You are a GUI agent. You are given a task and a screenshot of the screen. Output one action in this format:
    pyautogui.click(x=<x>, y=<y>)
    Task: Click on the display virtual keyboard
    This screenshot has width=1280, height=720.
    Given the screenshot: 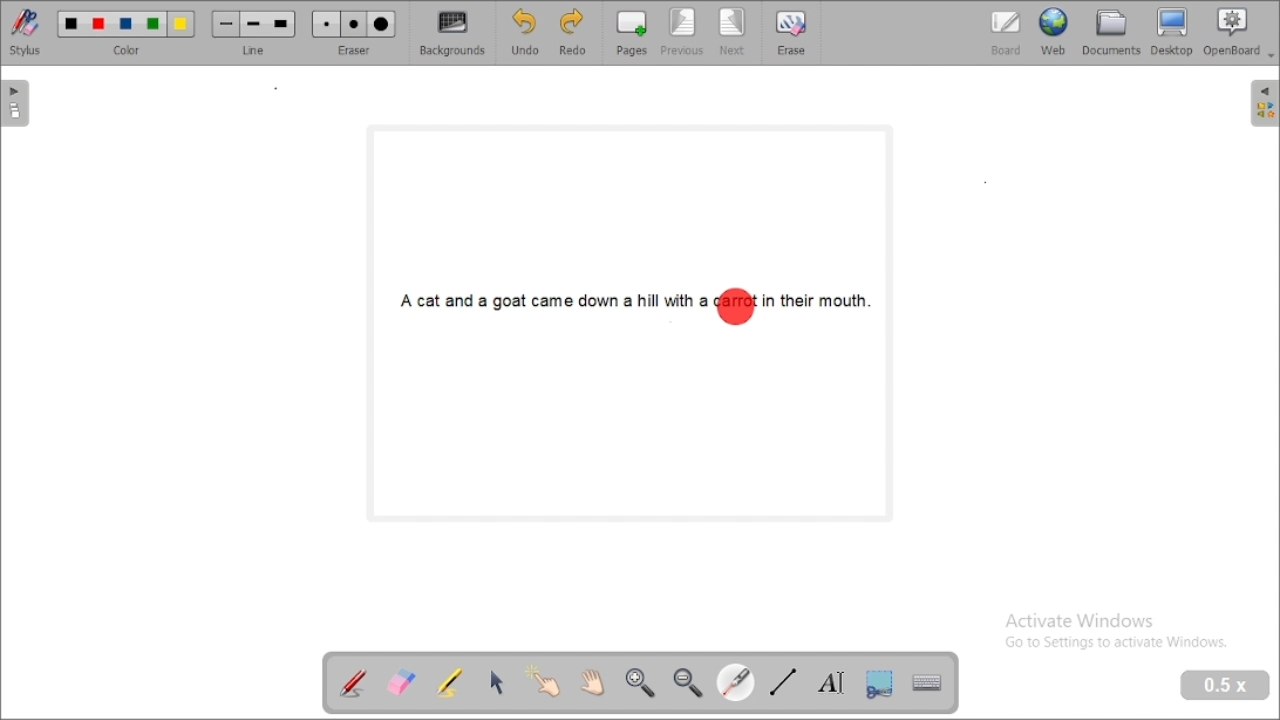 What is the action you would take?
    pyautogui.click(x=928, y=683)
    